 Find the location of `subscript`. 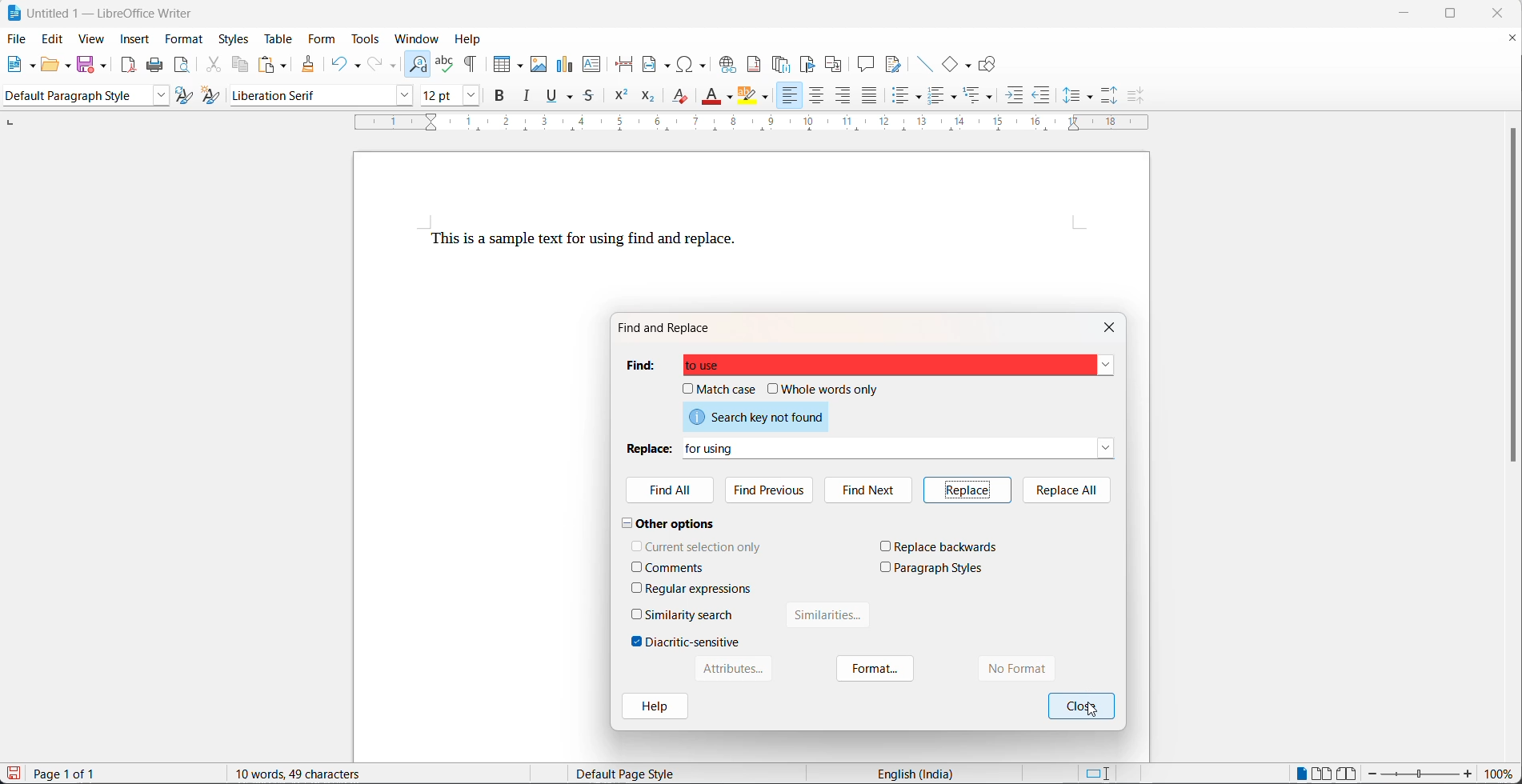

subscript is located at coordinates (647, 98).